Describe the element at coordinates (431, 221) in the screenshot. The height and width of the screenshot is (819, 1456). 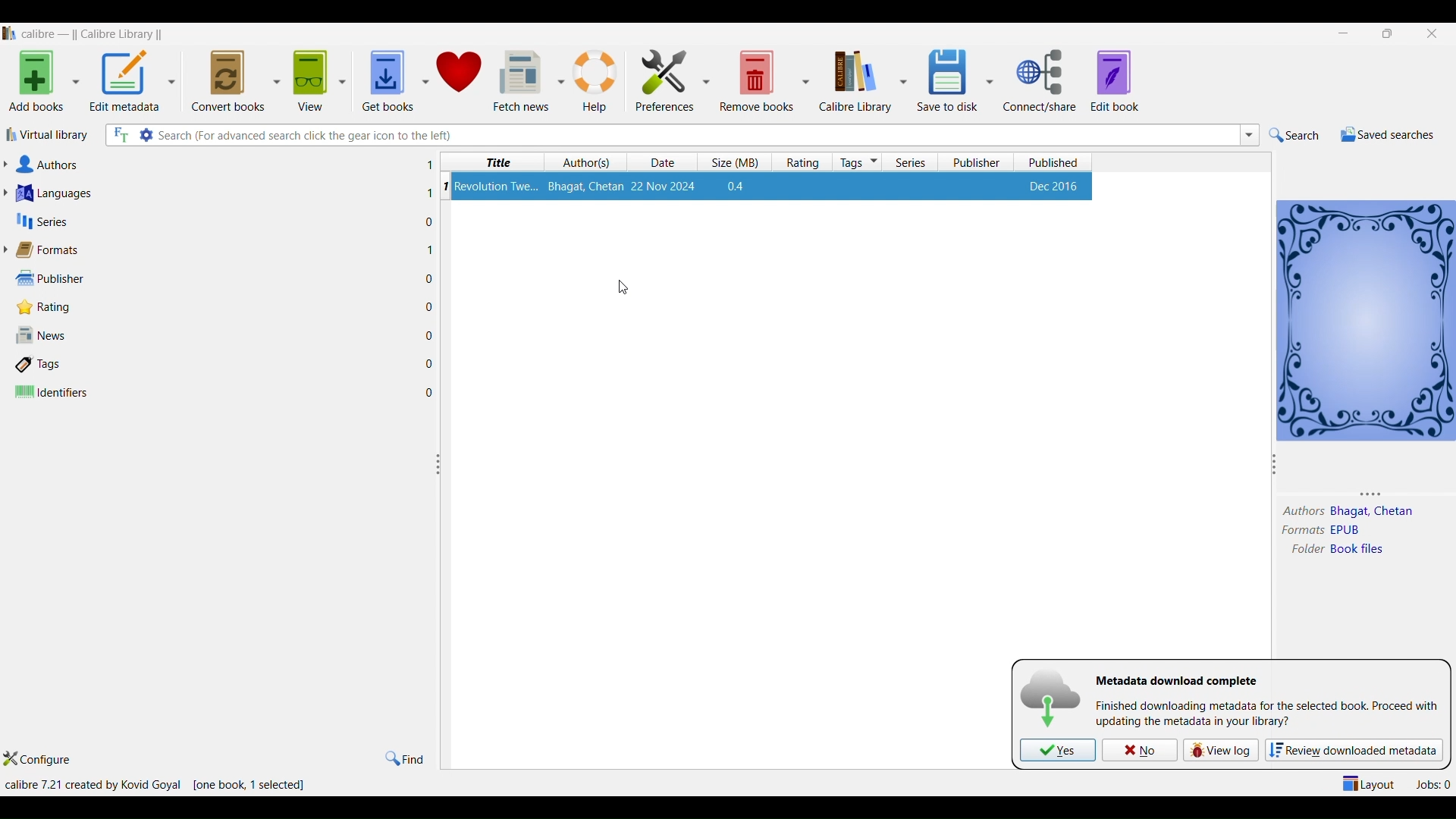
I see `0` at that location.